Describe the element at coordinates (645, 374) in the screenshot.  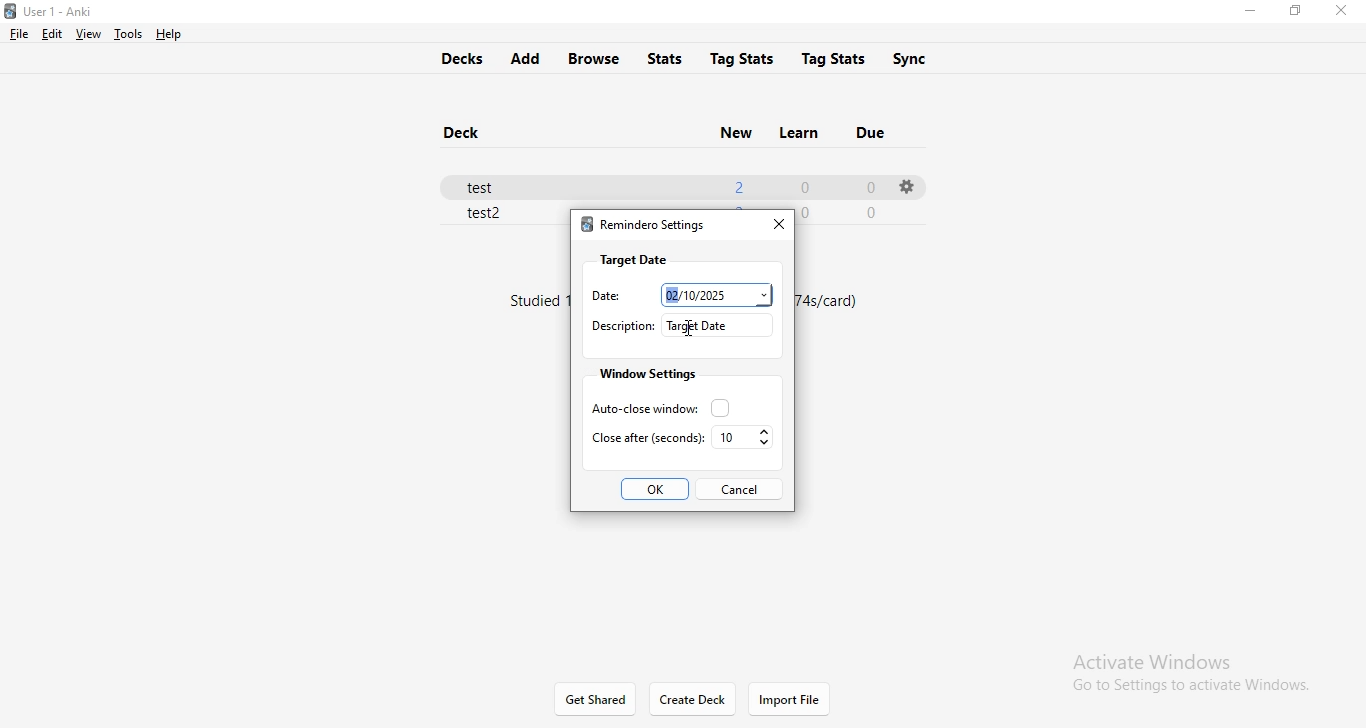
I see `window settings` at that location.